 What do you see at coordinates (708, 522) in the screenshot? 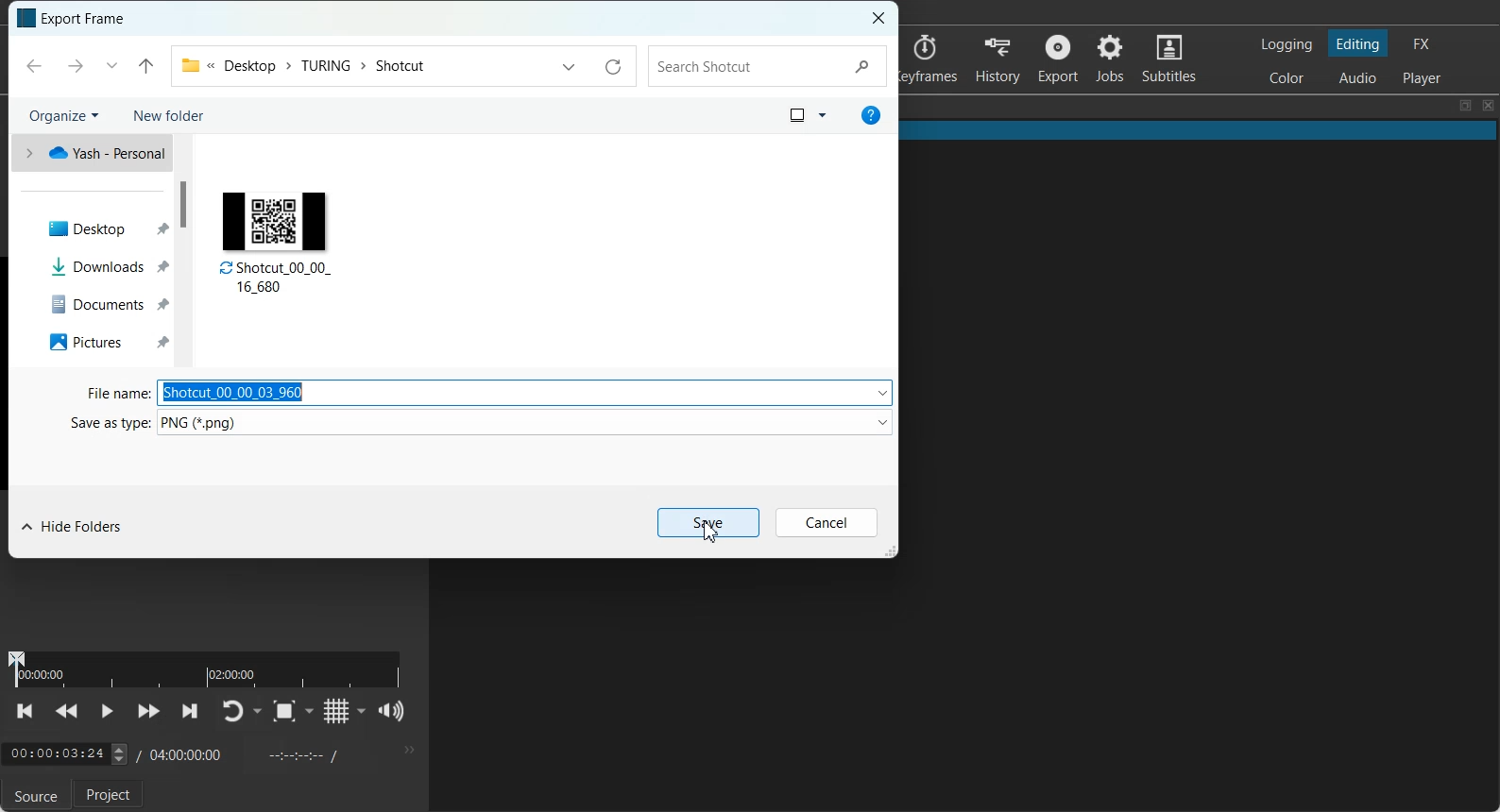
I see `save` at bounding box center [708, 522].